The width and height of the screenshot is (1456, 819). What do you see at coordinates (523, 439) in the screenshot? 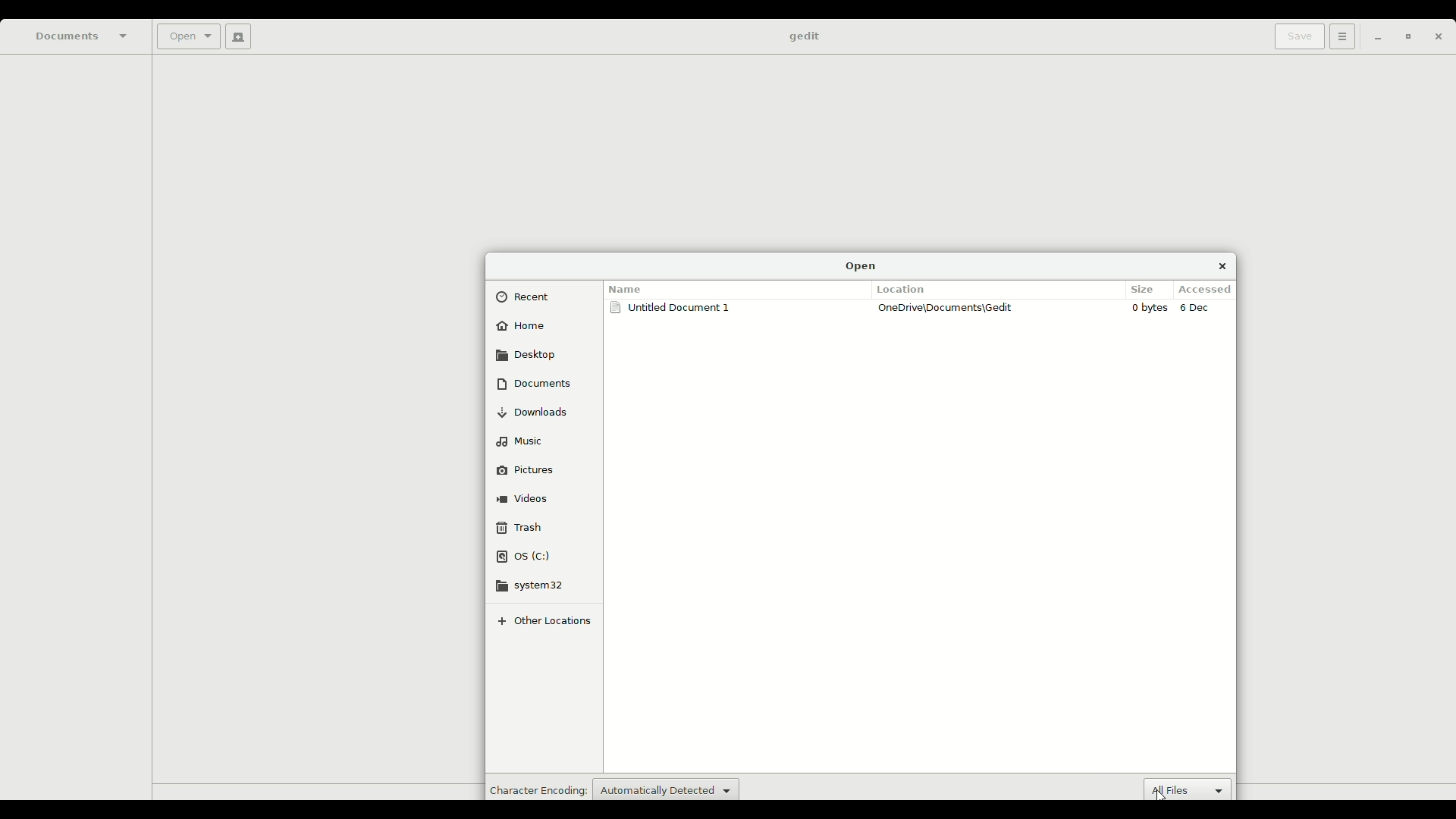
I see `Music` at bounding box center [523, 439].